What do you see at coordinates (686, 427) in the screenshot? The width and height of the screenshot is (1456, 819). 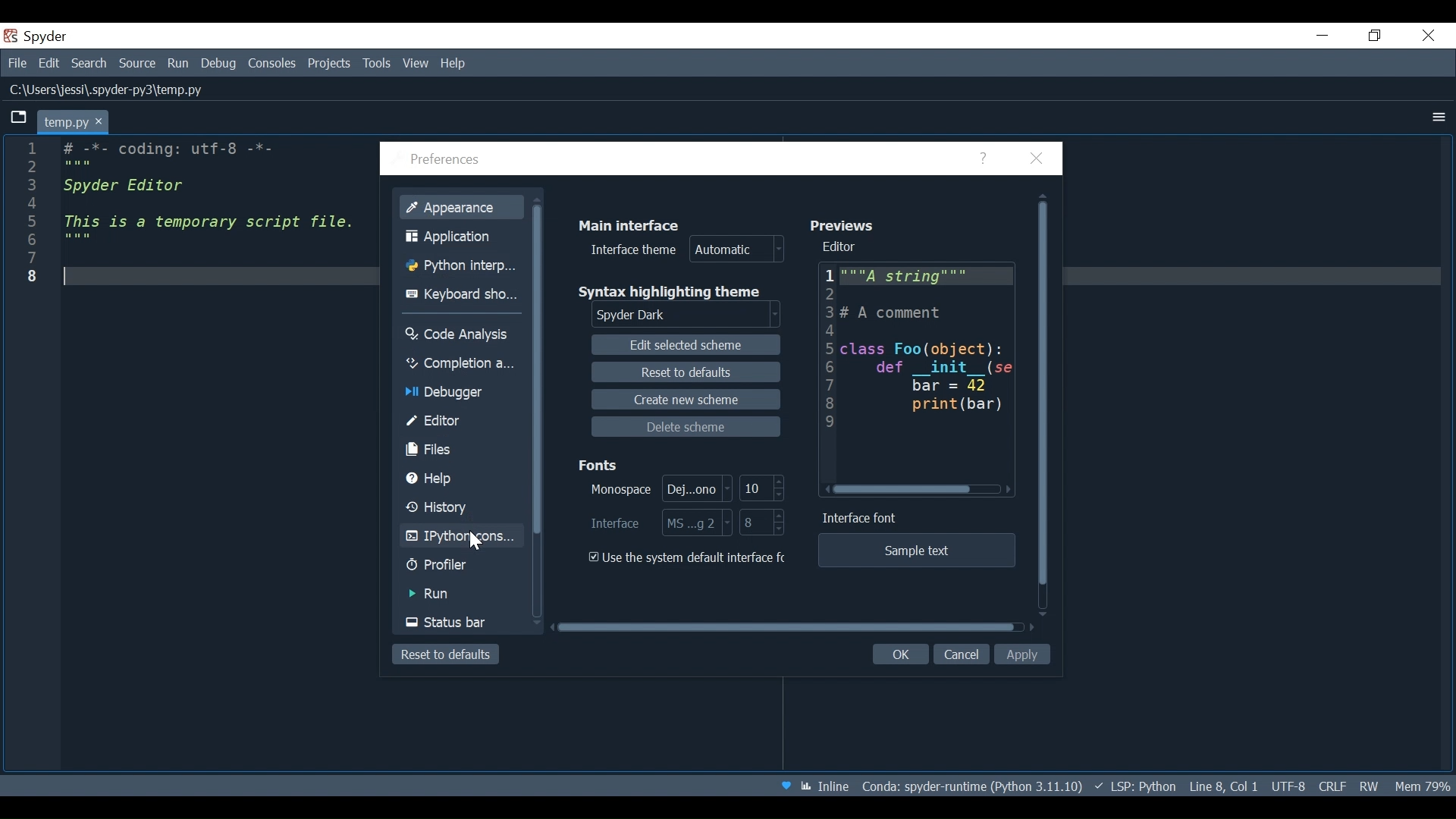 I see `Delete Scheme` at bounding box center [686, 427].